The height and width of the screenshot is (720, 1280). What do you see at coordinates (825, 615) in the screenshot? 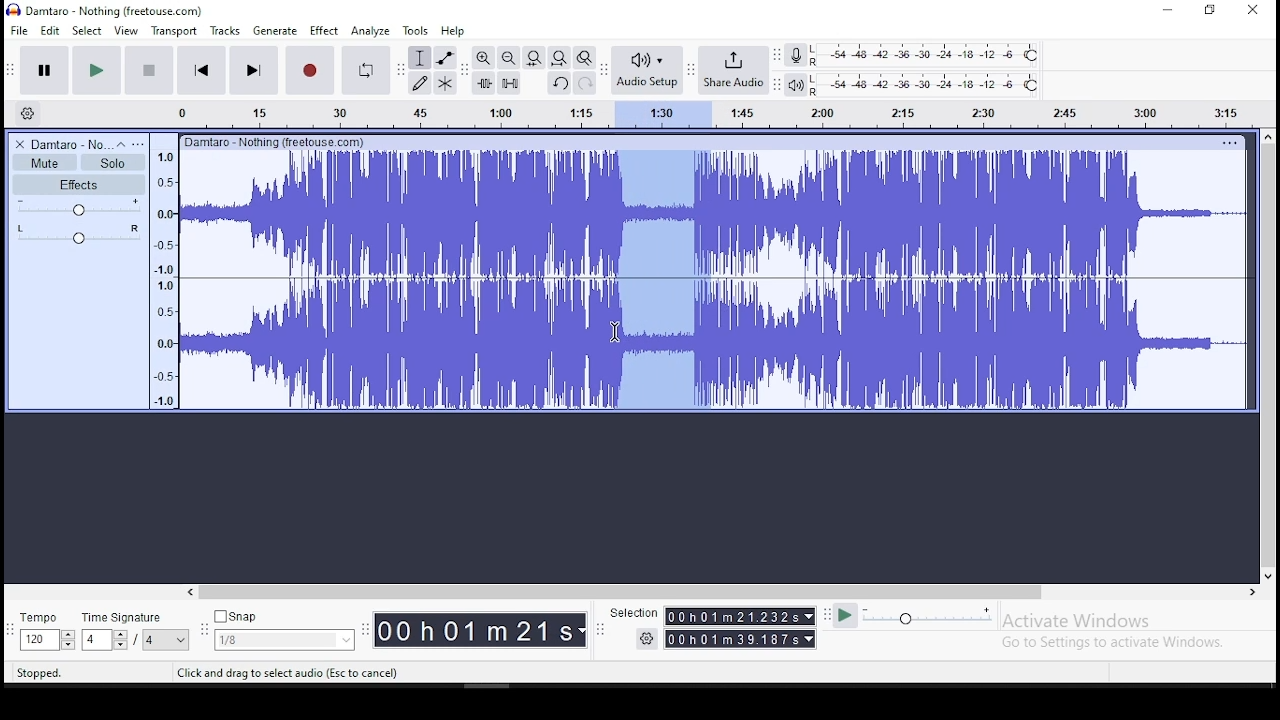
I see `` at bounding box center [825, 615].